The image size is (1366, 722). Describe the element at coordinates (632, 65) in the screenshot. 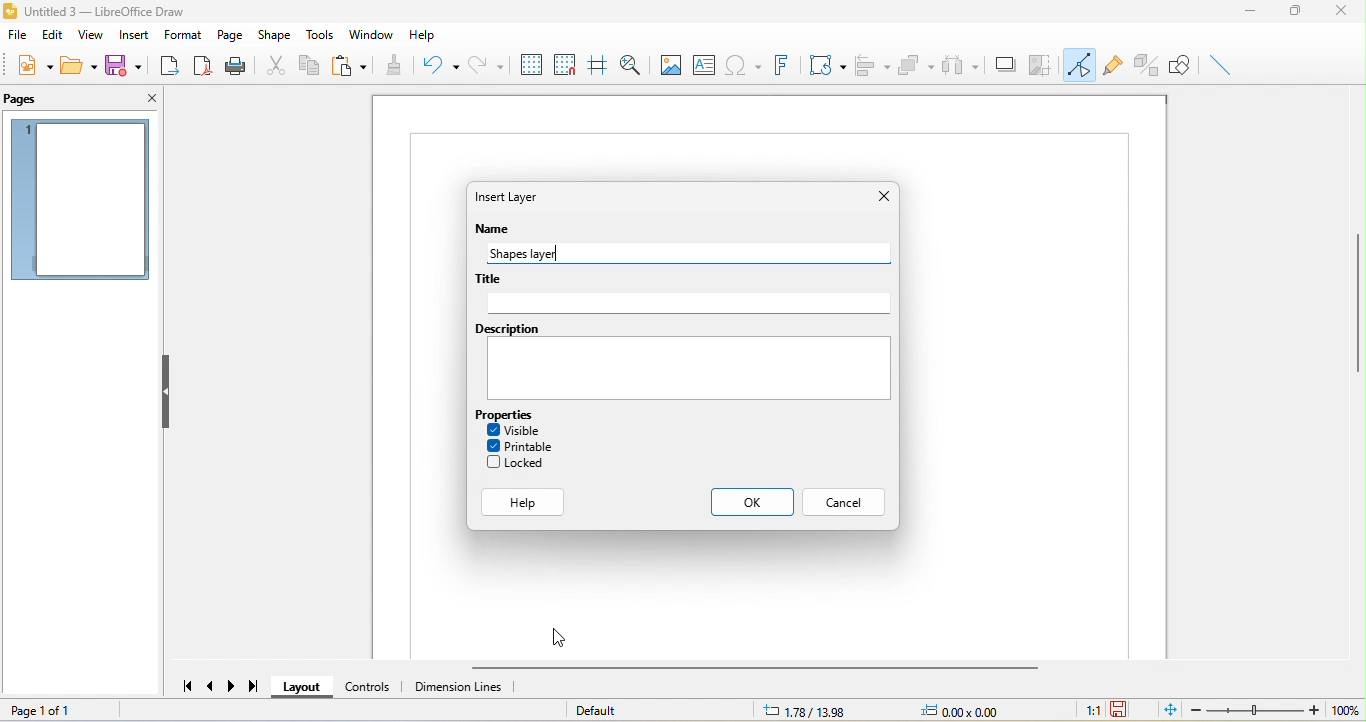

I see `zoom and pan` at that location.